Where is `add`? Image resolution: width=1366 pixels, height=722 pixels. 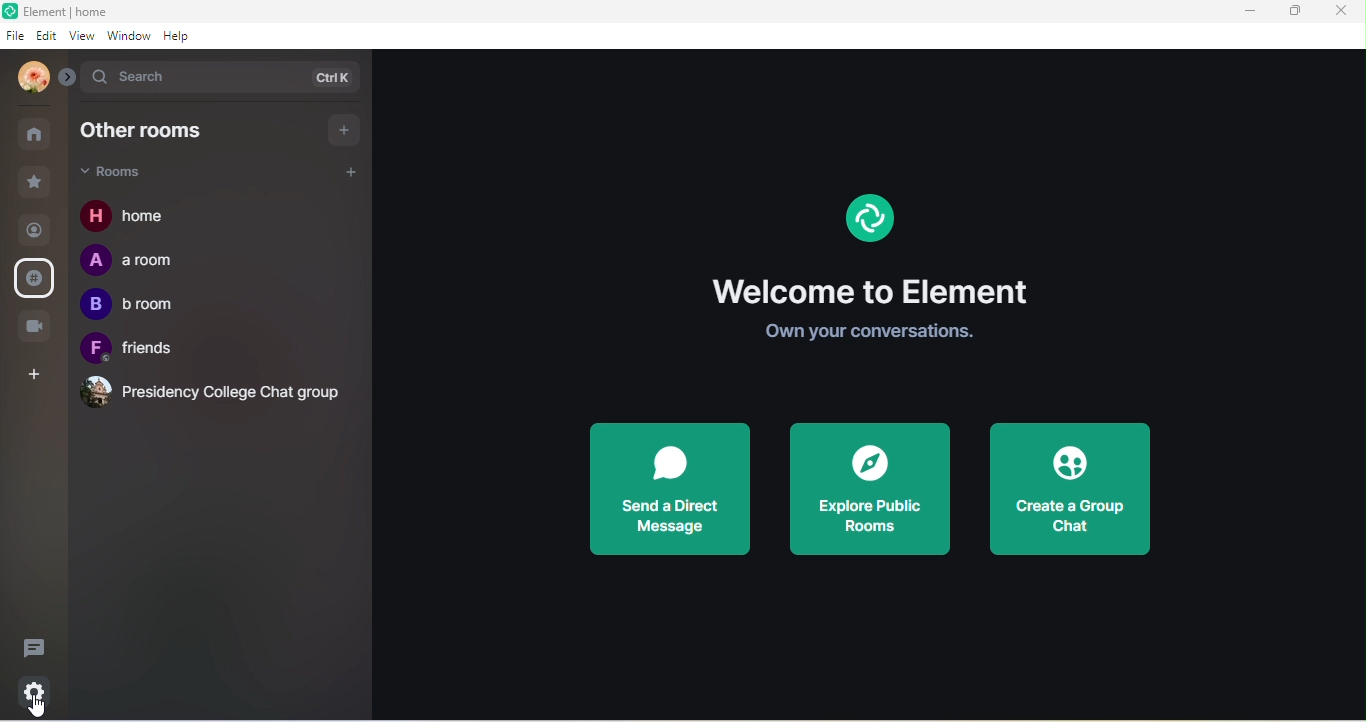 add is located at coordinates (345, 128).